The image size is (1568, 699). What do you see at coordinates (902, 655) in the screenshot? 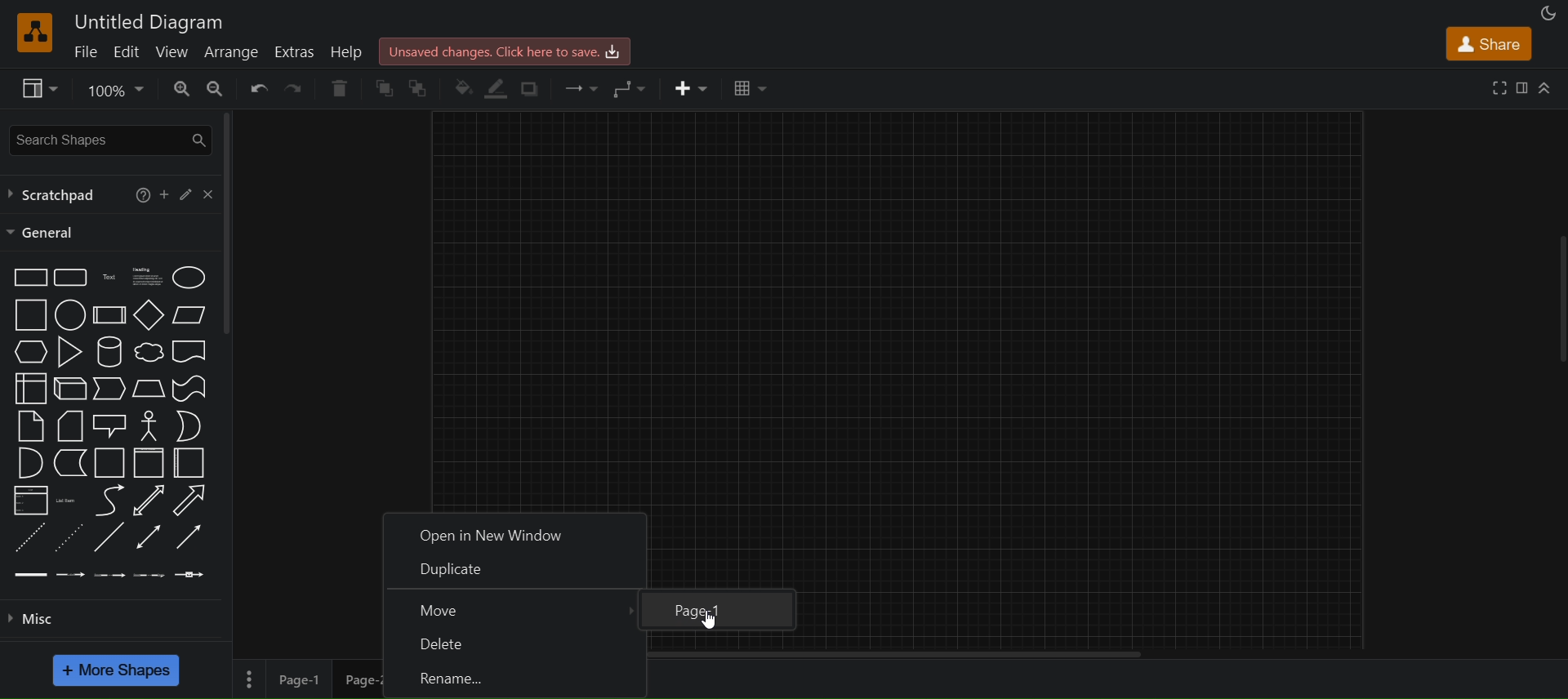
I see `horizontal scroll bar` at bounding box center [902, 655].